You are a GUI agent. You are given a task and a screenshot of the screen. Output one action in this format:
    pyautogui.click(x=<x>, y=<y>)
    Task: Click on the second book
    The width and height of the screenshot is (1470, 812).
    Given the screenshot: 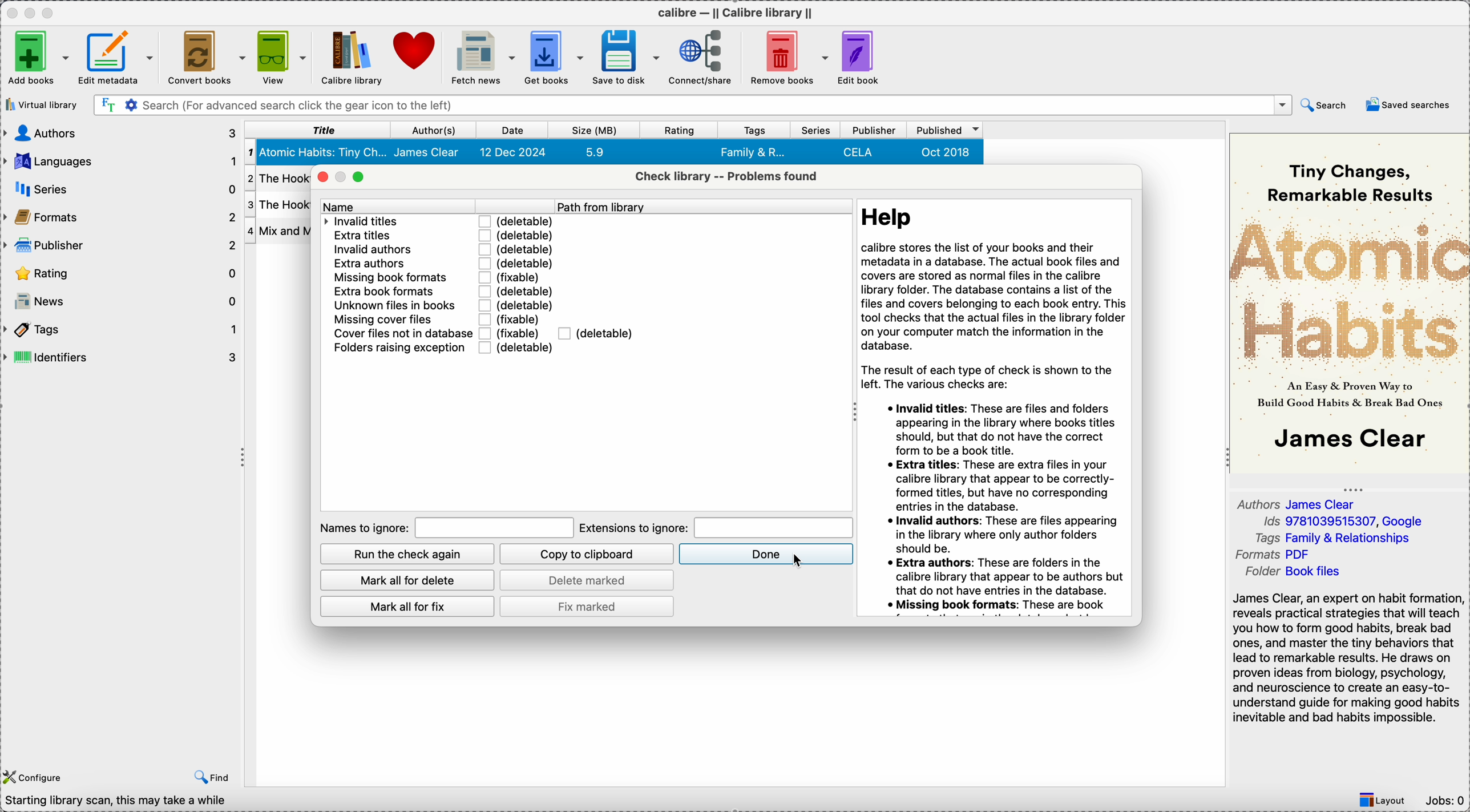 What is the action you would take?
    pyautogui.click(x=273, y=181)
    